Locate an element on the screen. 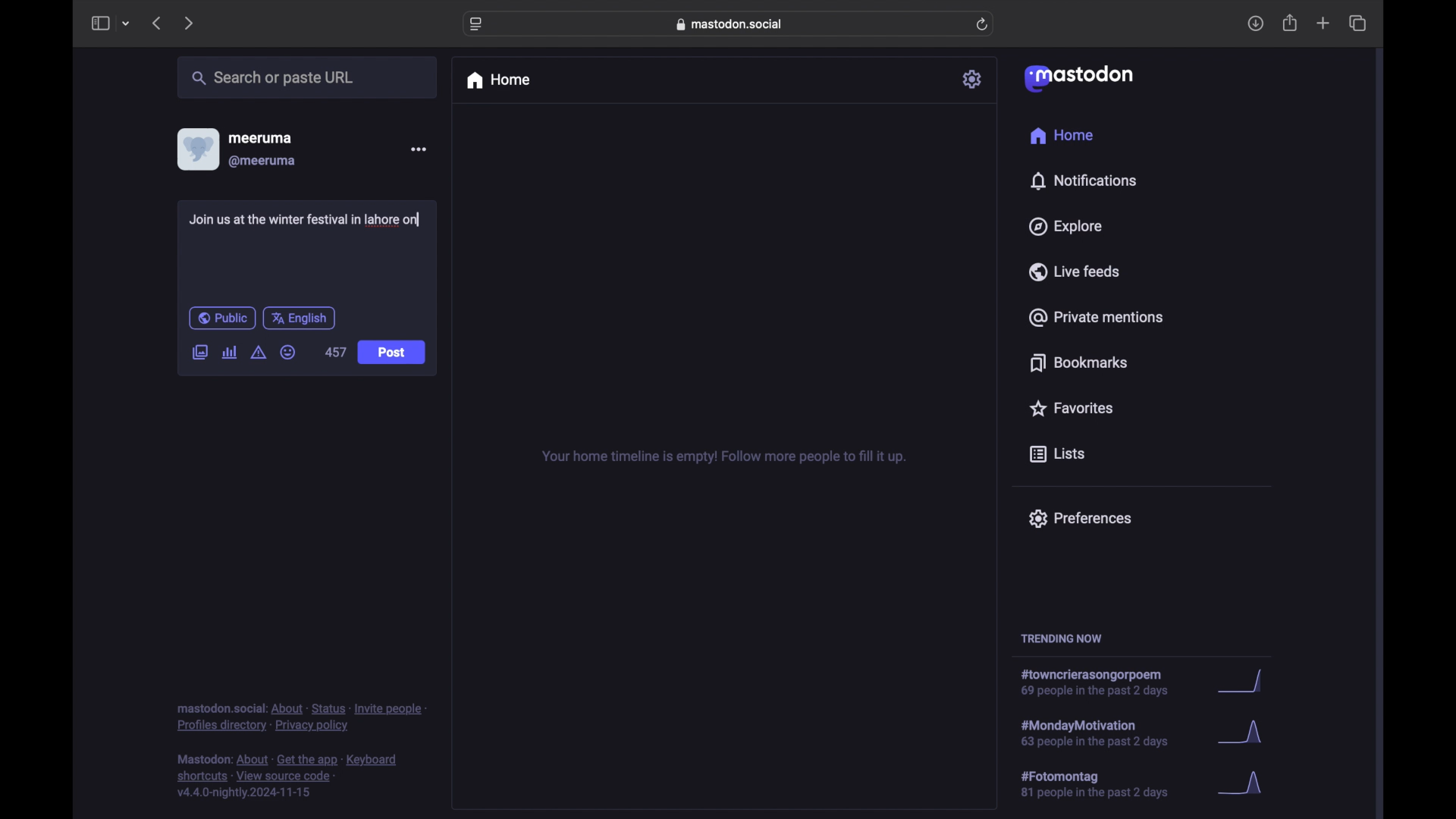 Image resolution: width=1456 pixels, height=819 pixels. home is located at coordinates (497, 80).